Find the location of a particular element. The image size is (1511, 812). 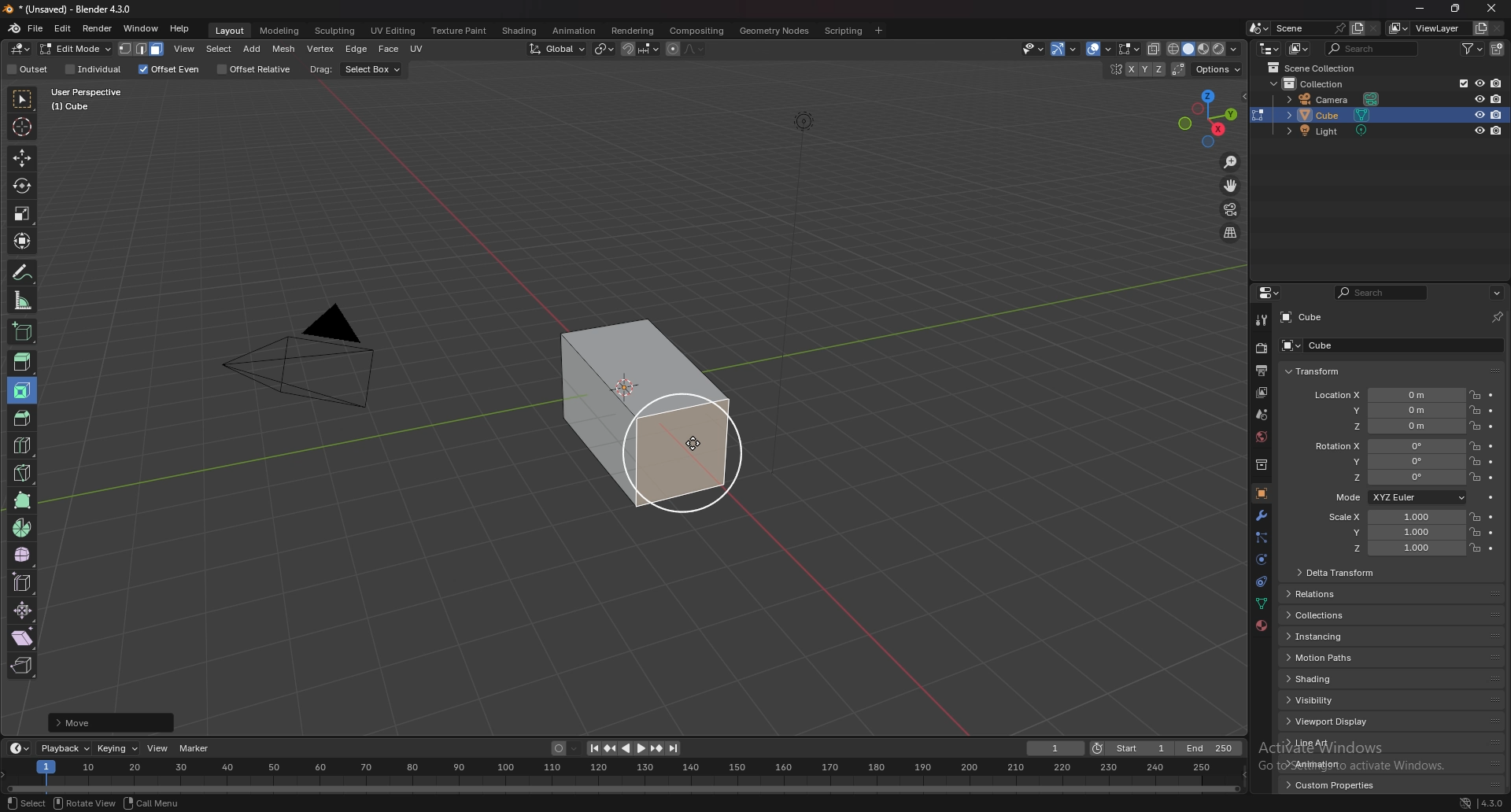

animate property is located at coordinates (1492, 478).